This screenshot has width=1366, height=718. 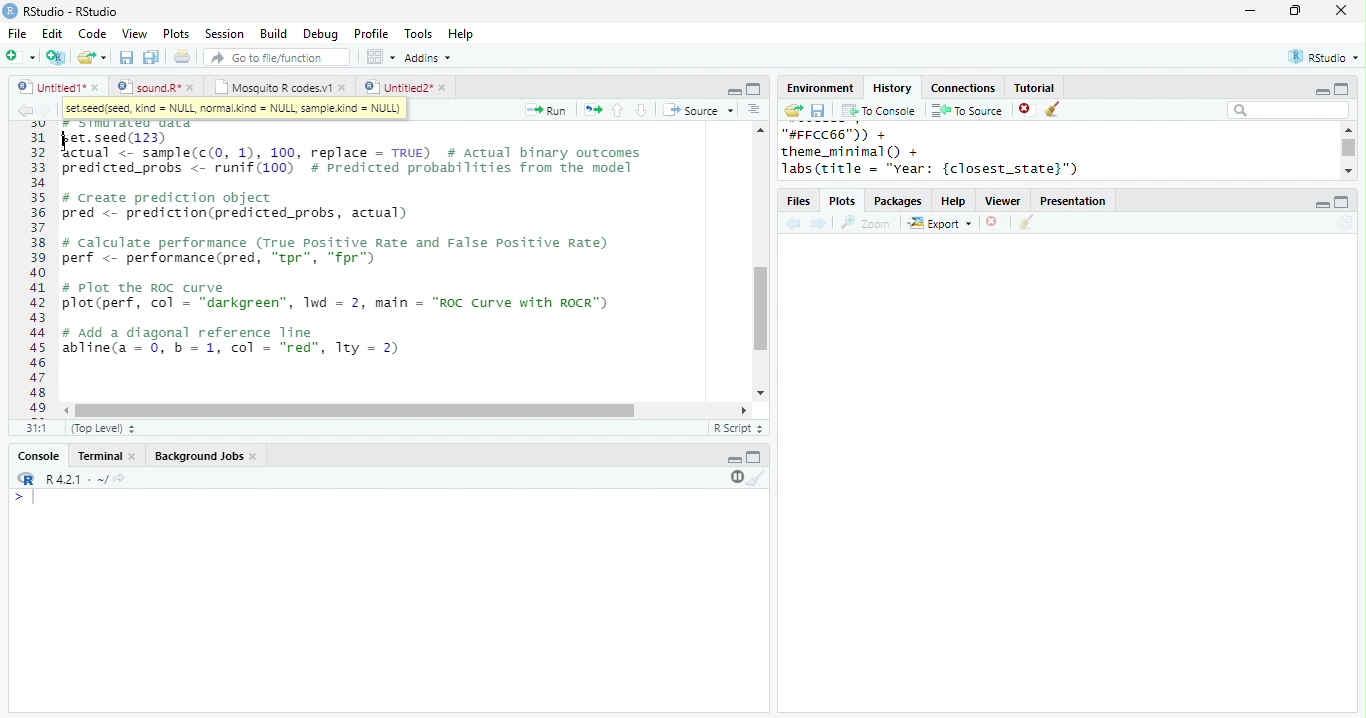 I want to click on rerun, so click(x=593, y=110).